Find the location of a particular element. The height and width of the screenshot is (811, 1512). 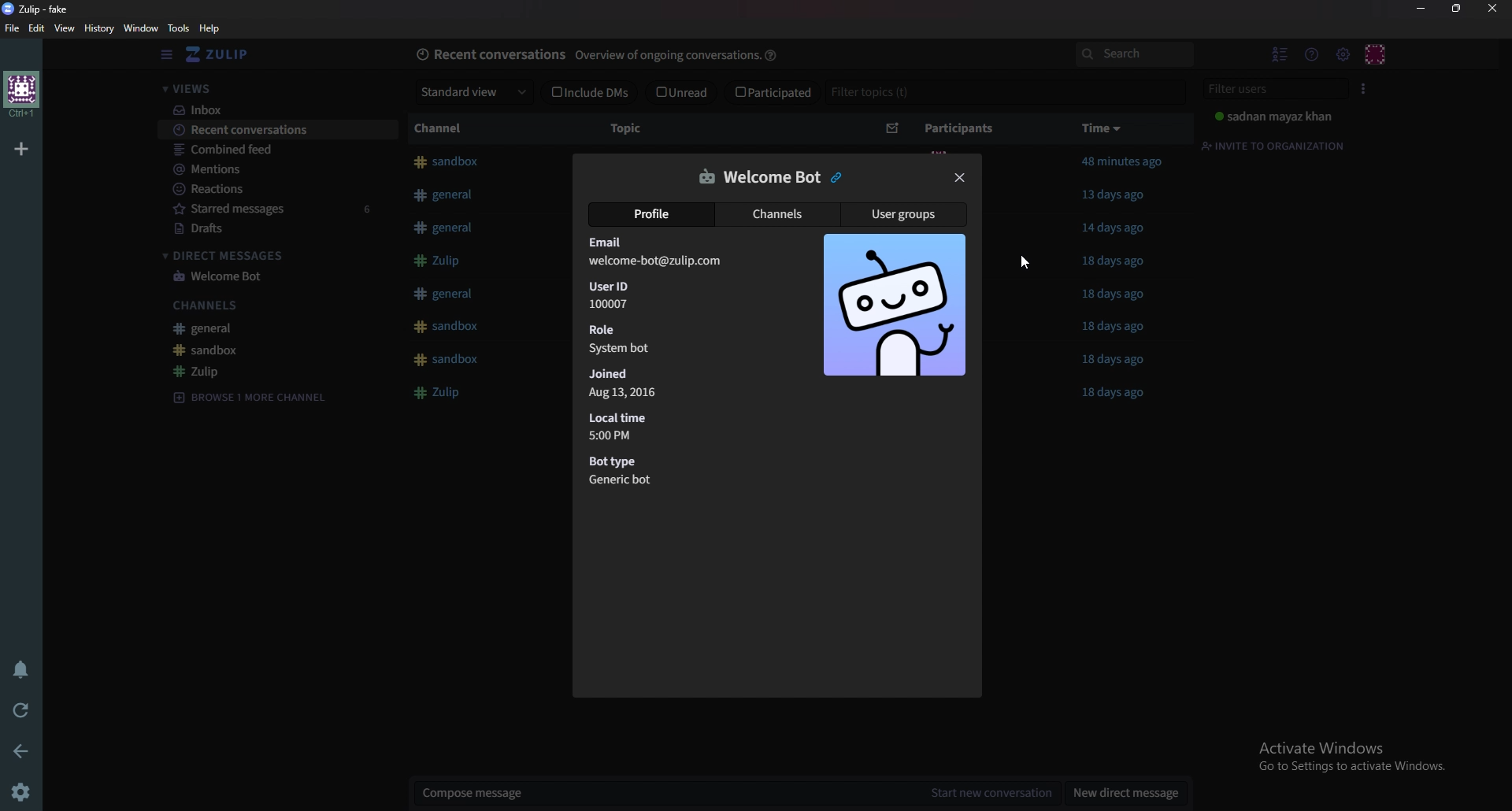

channel is located at coordinates (438, 128).